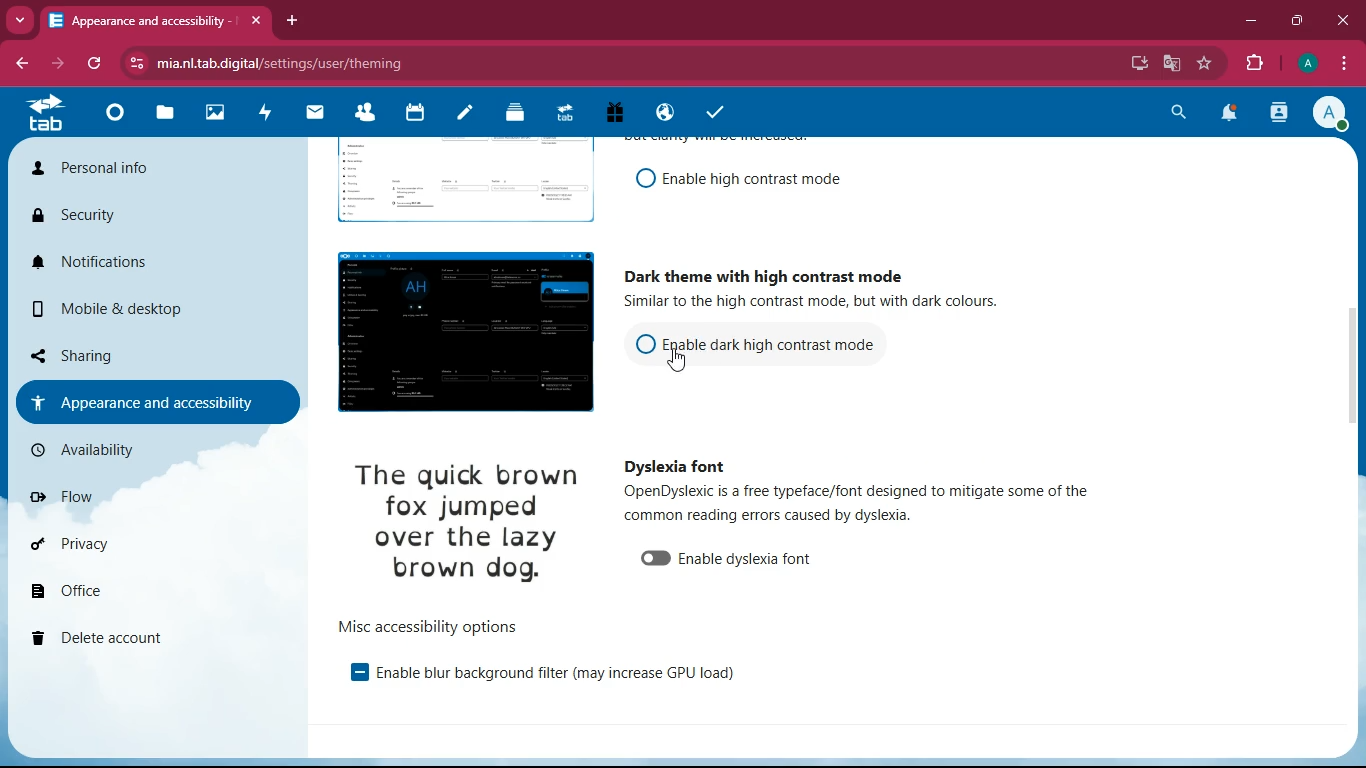  Describe the element at coordinates (167, 115) in the screenshot. I see `files` at that location.